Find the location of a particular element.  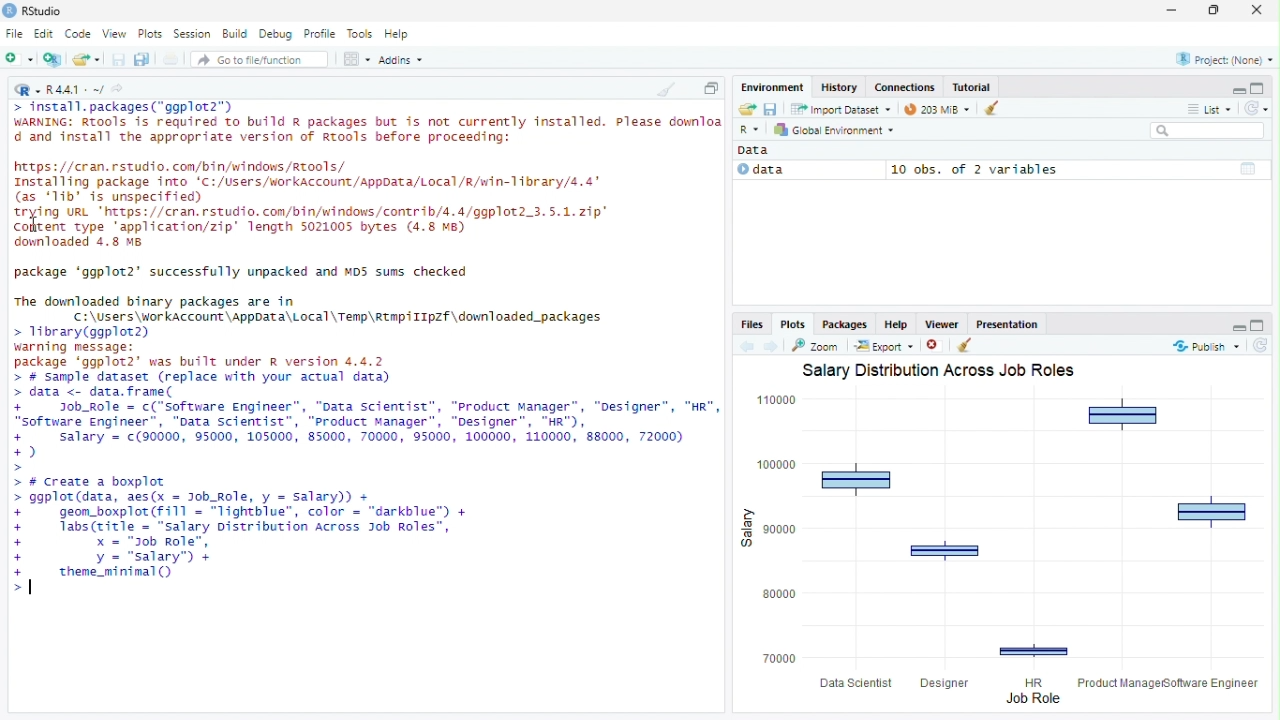

View current working directory is located at coordinates (120, 88).